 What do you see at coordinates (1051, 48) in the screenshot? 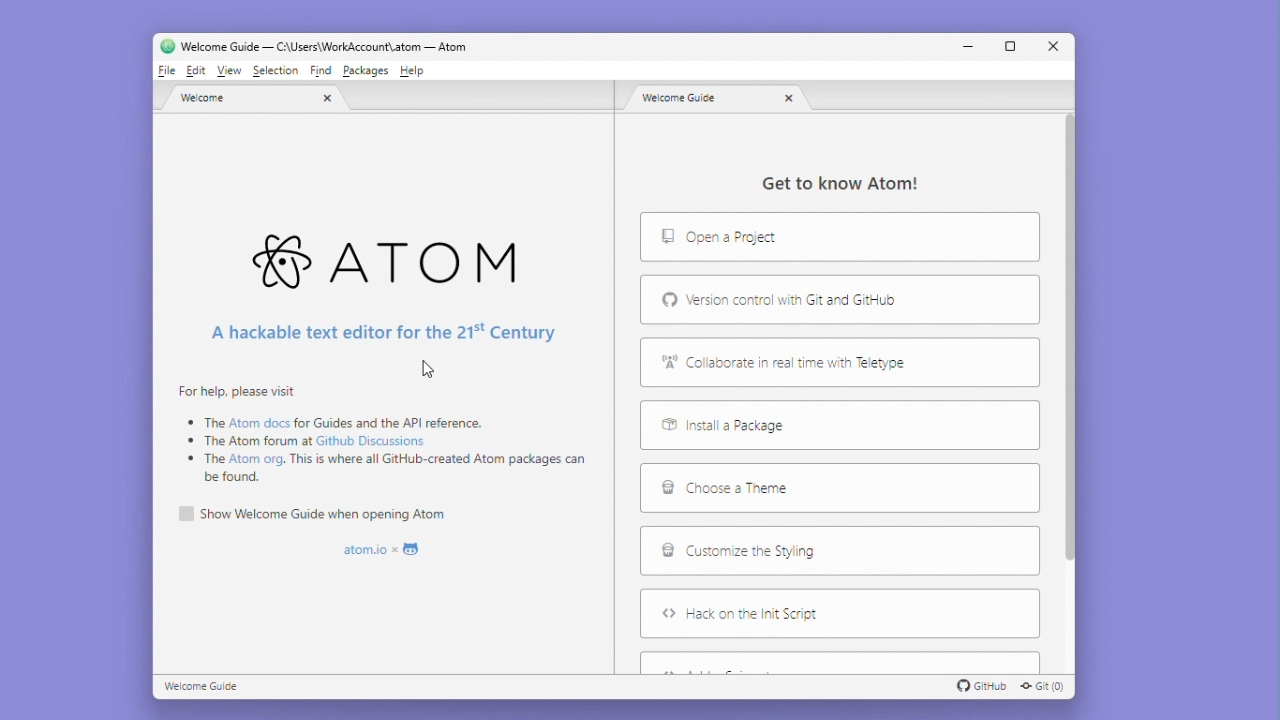
I see `Close` at bounding box center [1051, 48].